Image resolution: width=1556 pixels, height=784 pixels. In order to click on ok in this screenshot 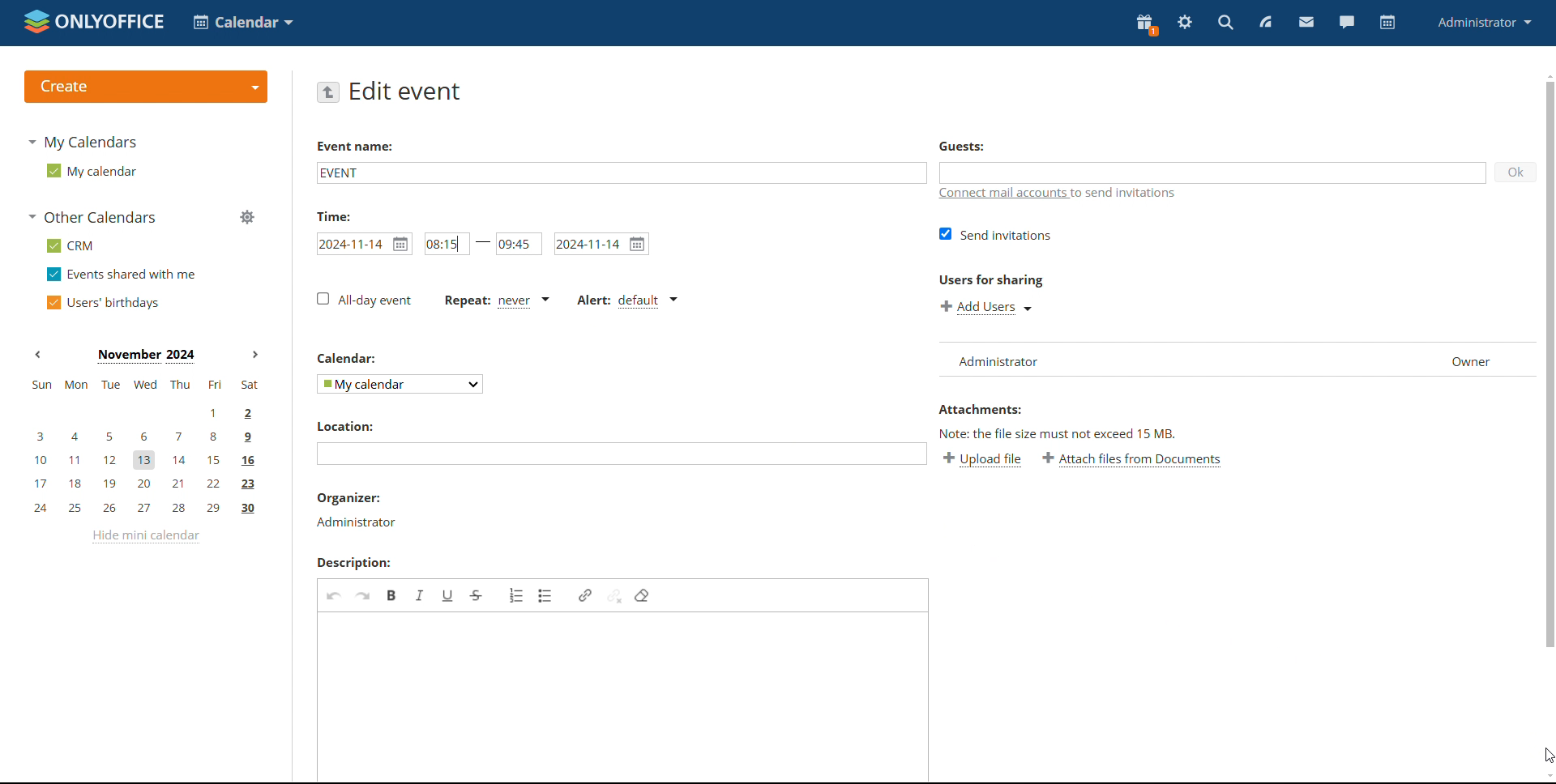, I will do `click(1515, 173)`.